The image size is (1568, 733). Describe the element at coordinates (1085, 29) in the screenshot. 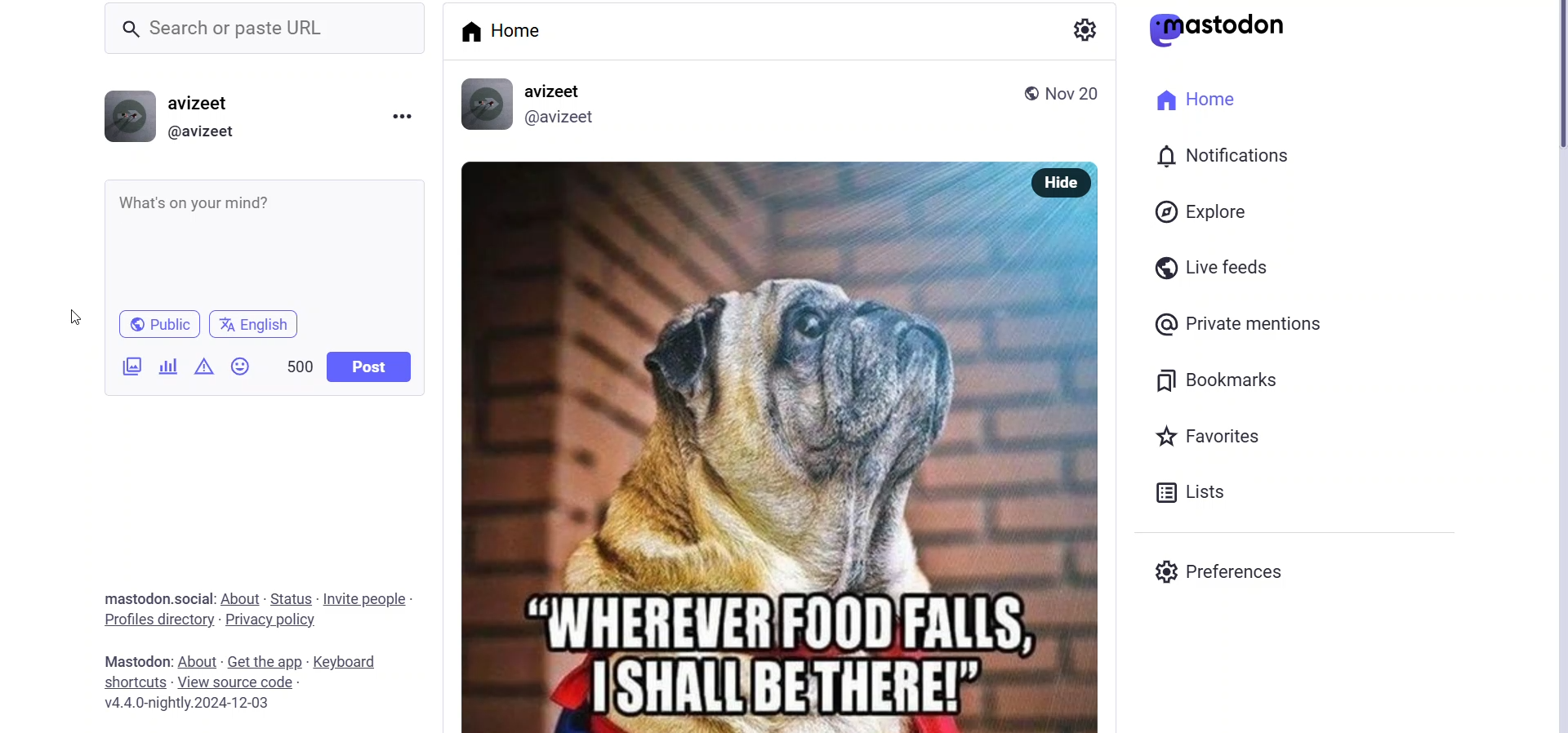

I see `show settings` at that location.